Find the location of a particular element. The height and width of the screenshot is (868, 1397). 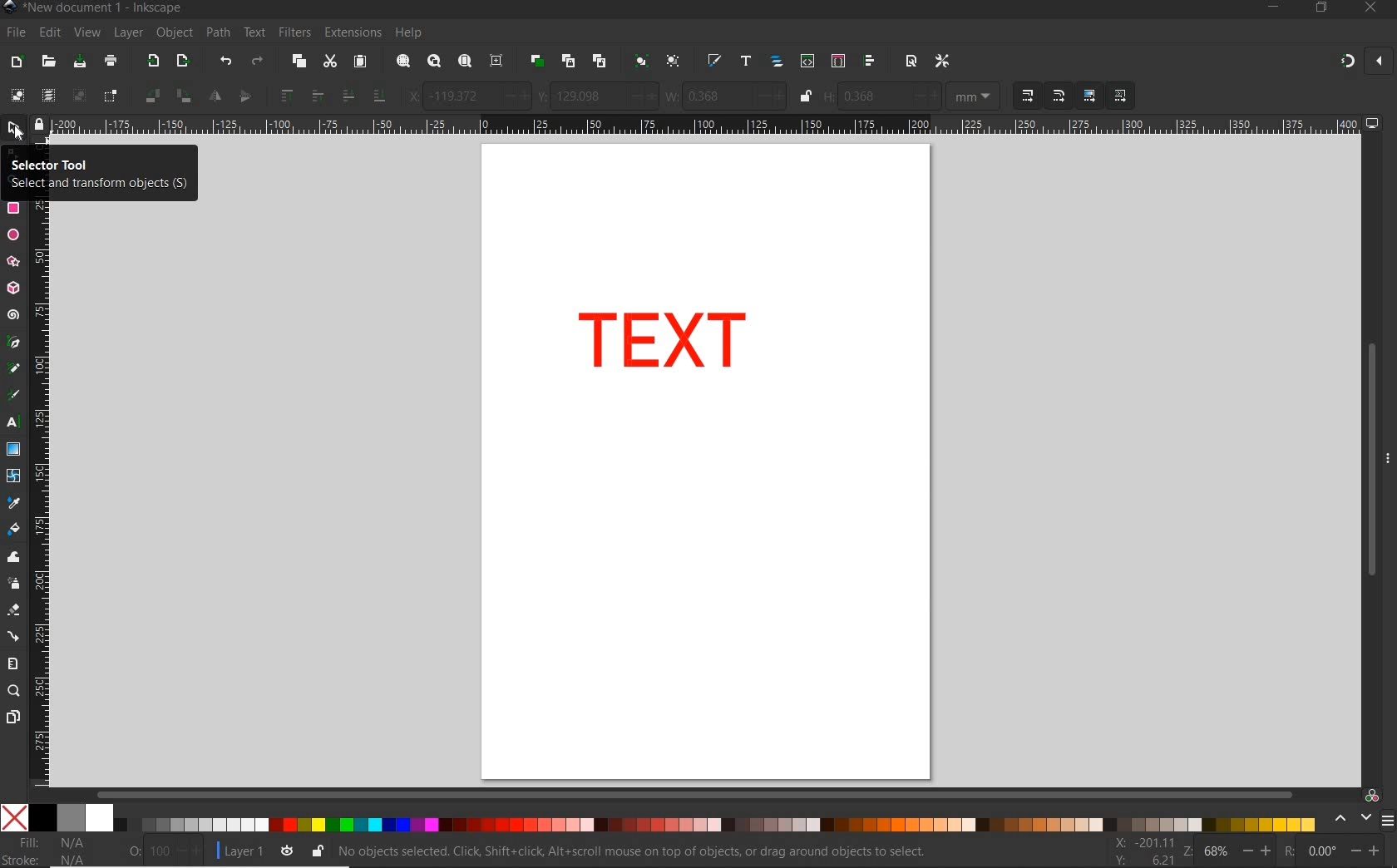

OPEN OBJECTS is located at coordinates (776, 62).